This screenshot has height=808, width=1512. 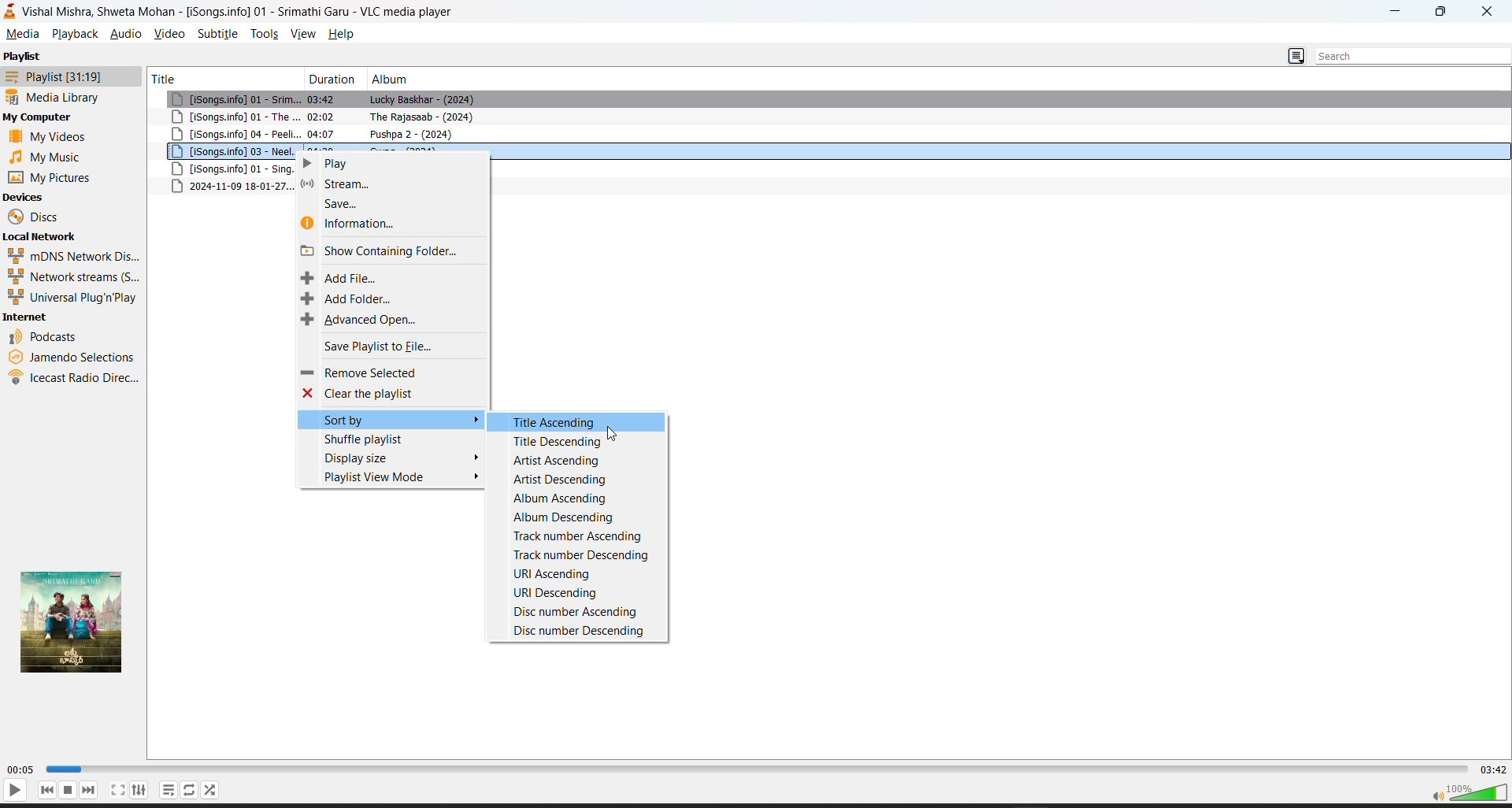 I want to click on stop, so click(x=69, y=790).